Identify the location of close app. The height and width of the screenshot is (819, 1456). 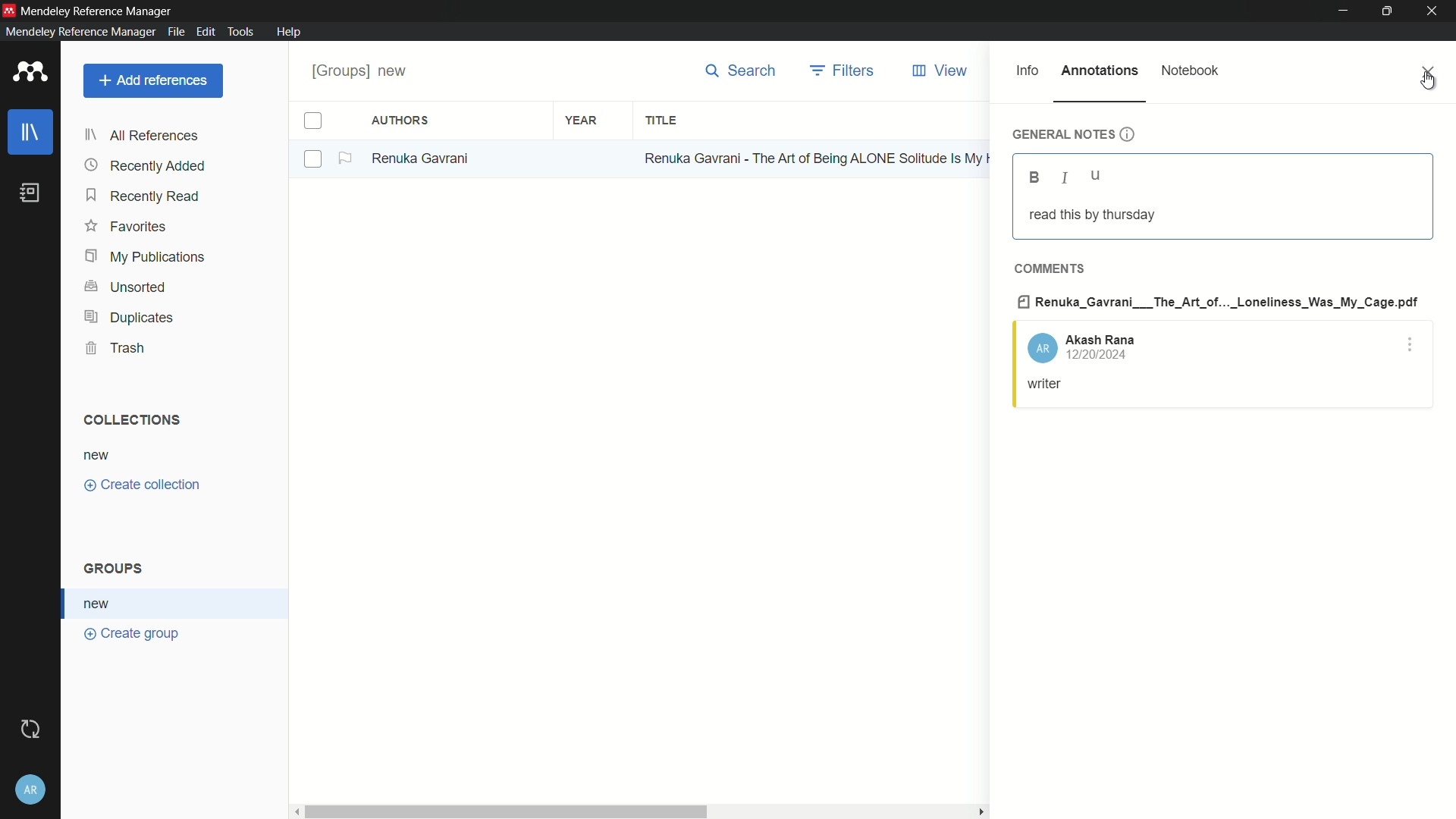
(1436, 11).